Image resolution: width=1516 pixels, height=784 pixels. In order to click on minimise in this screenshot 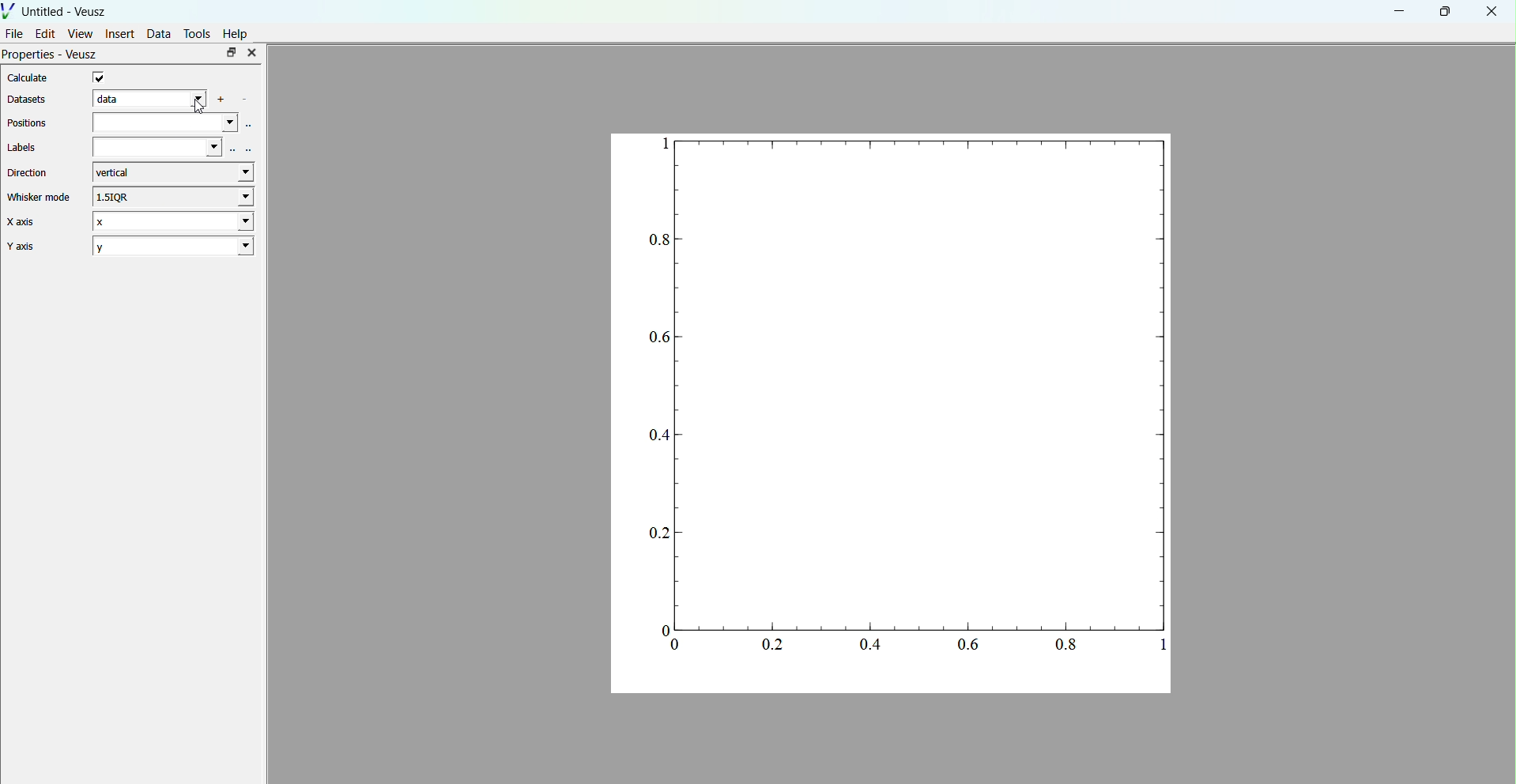, I will do `click(1400, 10)`.